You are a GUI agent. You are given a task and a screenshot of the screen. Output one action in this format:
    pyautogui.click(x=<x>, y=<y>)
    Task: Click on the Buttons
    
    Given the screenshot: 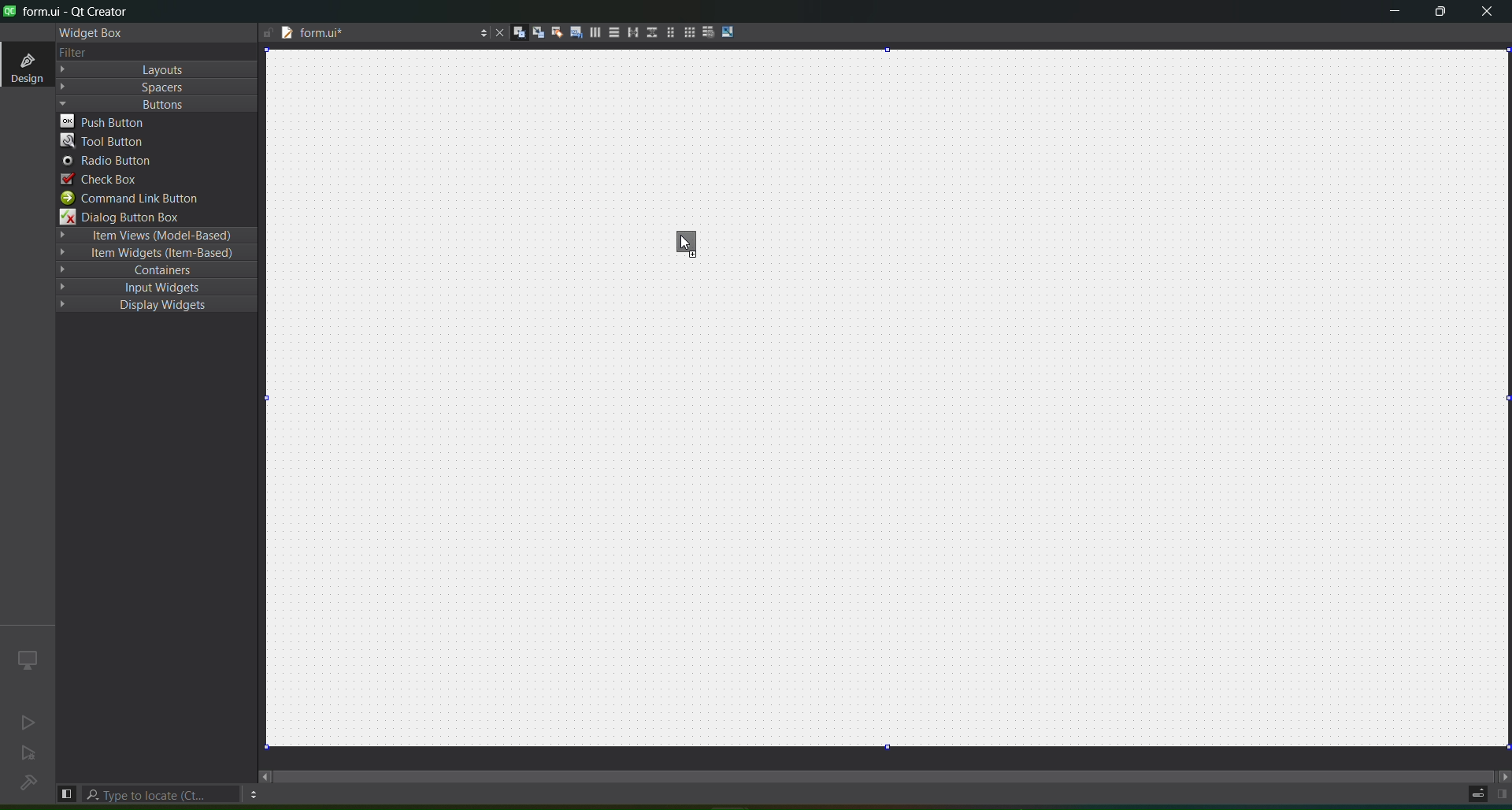 What is the action you would take?
    pyautogui.click(x=155, y=104)
    